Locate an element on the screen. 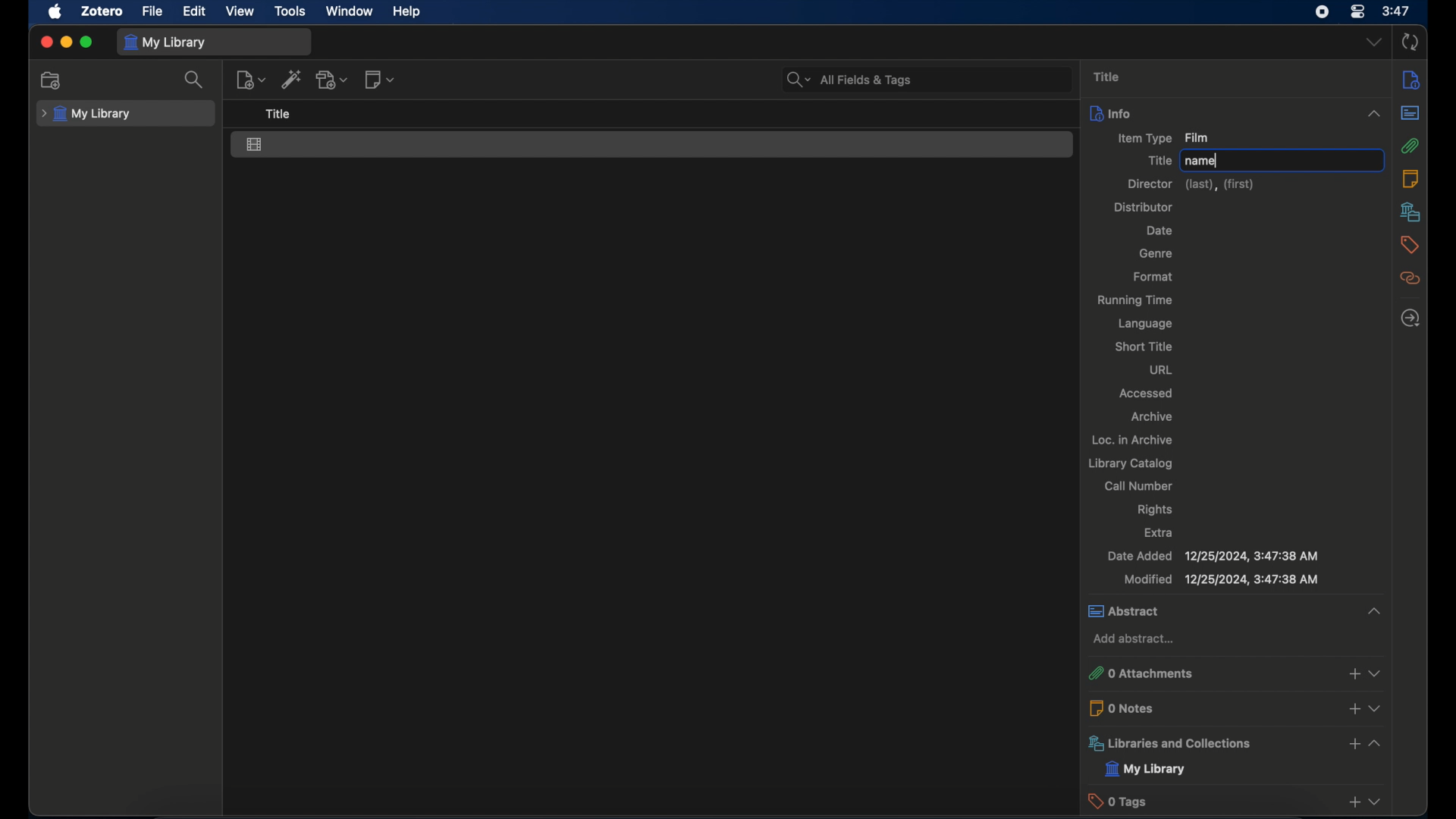  new collection is located at coordinates (51, 80).